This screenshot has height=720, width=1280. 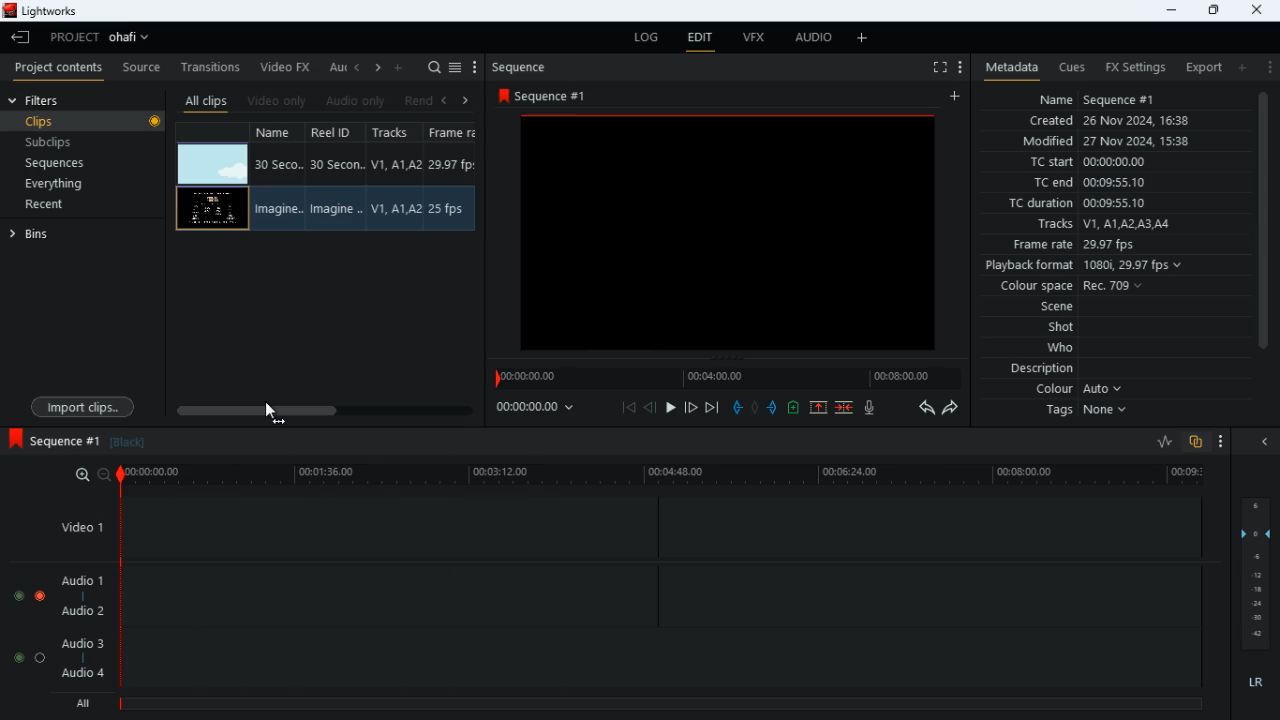 What do you see at coordinates (730, 380) in the screenshot?
I see `timeline` at bounding box center [730, 380].